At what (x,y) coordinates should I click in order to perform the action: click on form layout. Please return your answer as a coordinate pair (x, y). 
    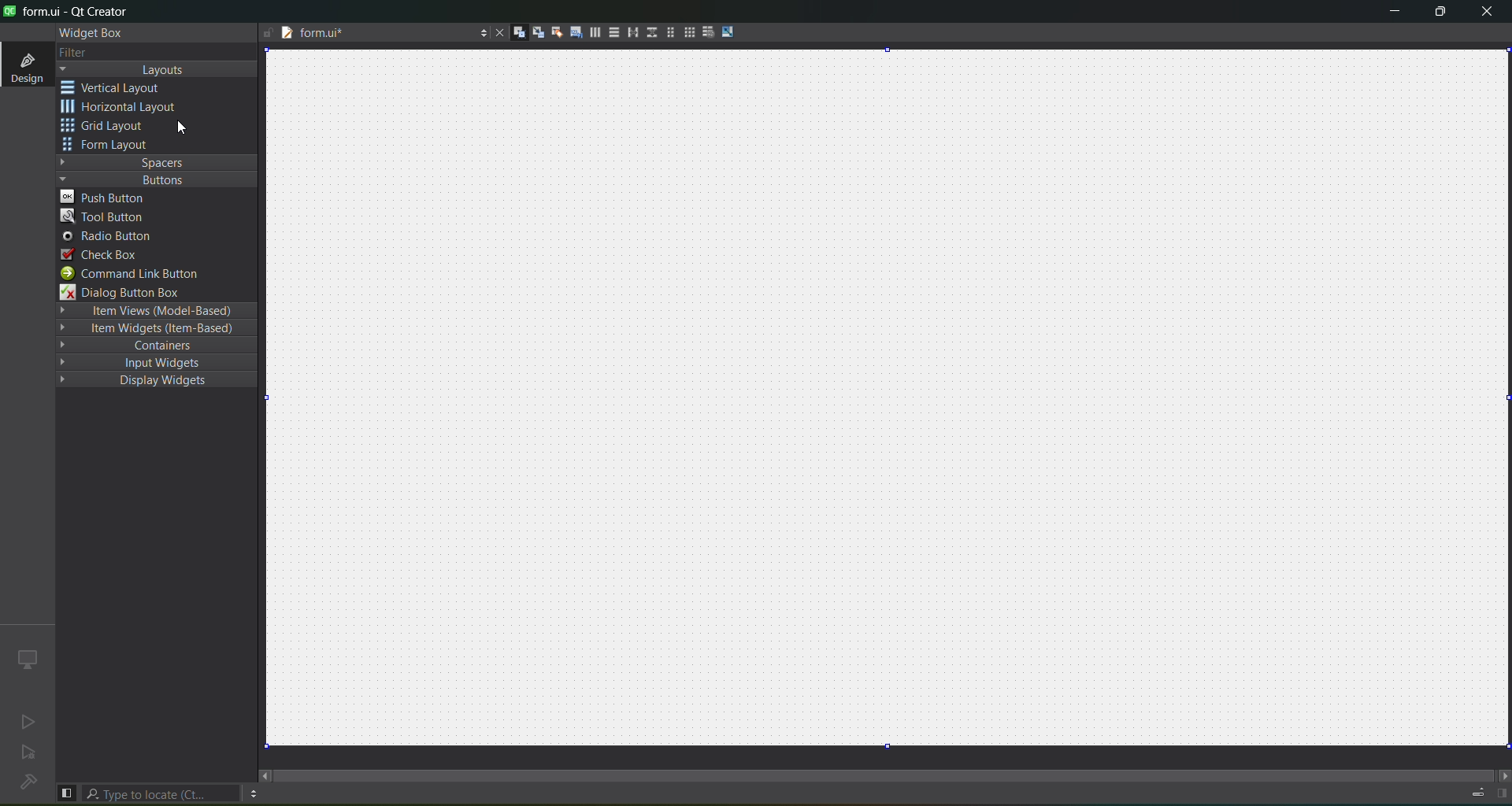
    Looking at the image, I should click on (108, 146).